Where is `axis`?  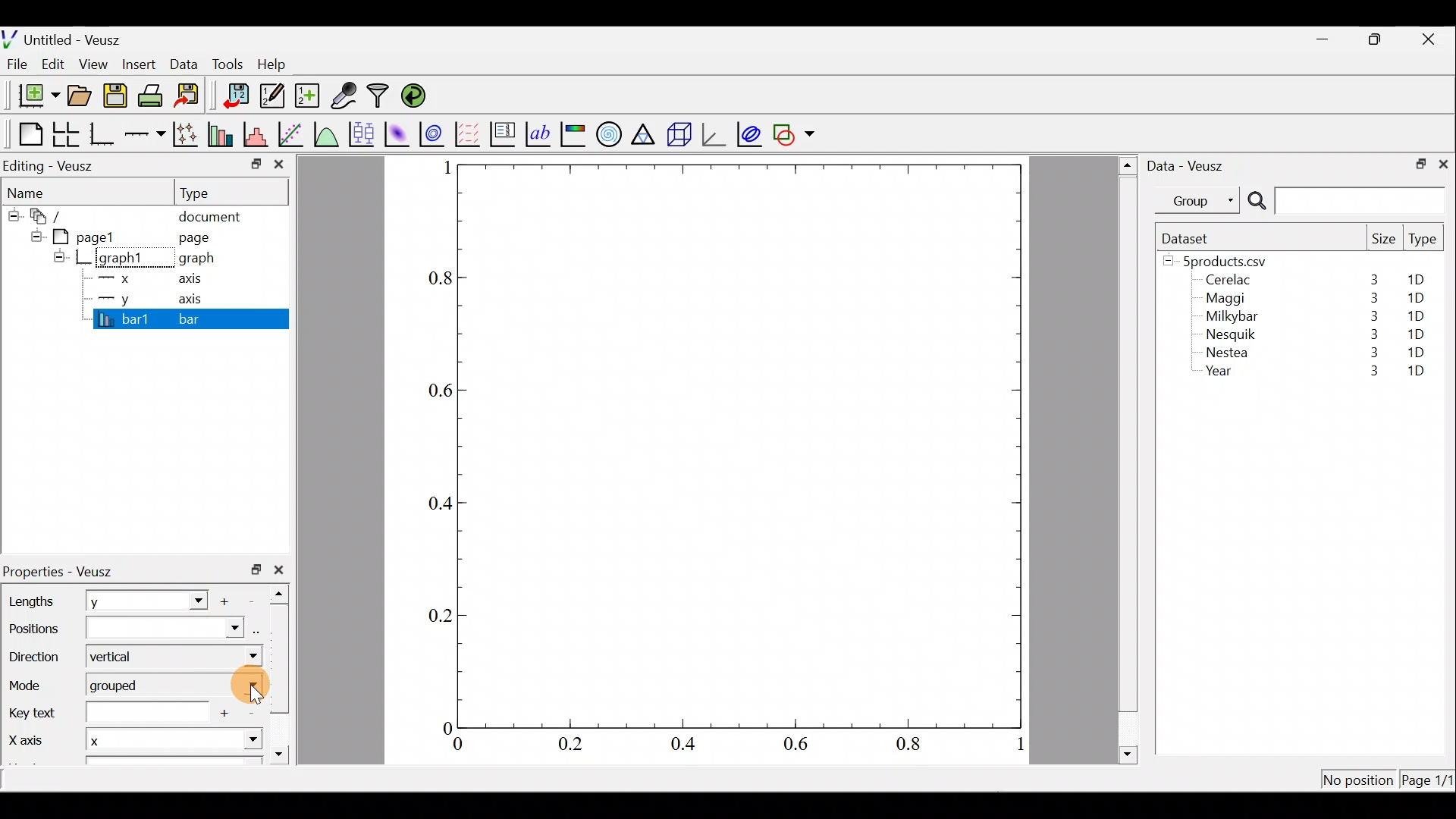 axis is located at coordinates (195, 281).